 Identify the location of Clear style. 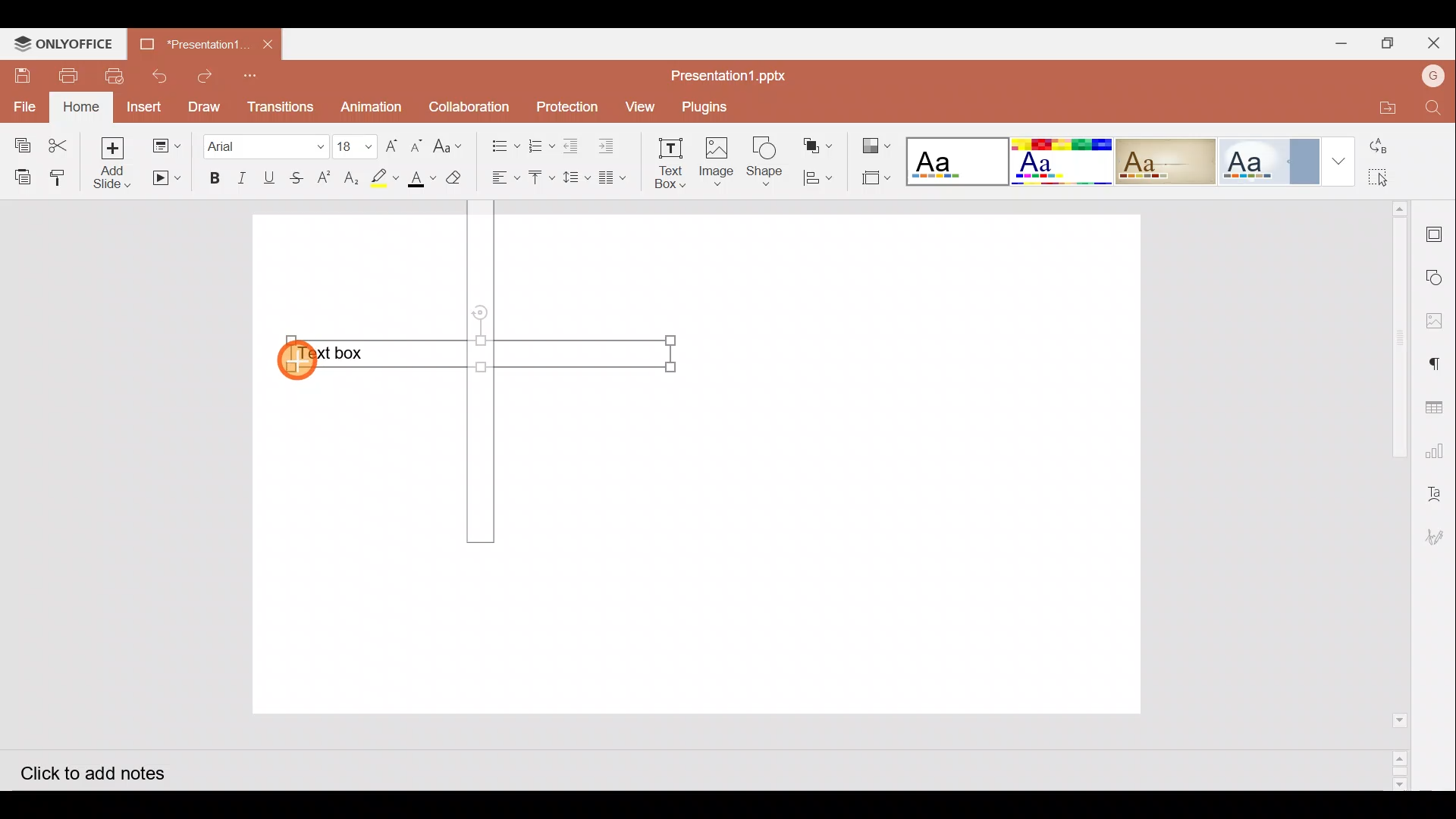
(456, 181).